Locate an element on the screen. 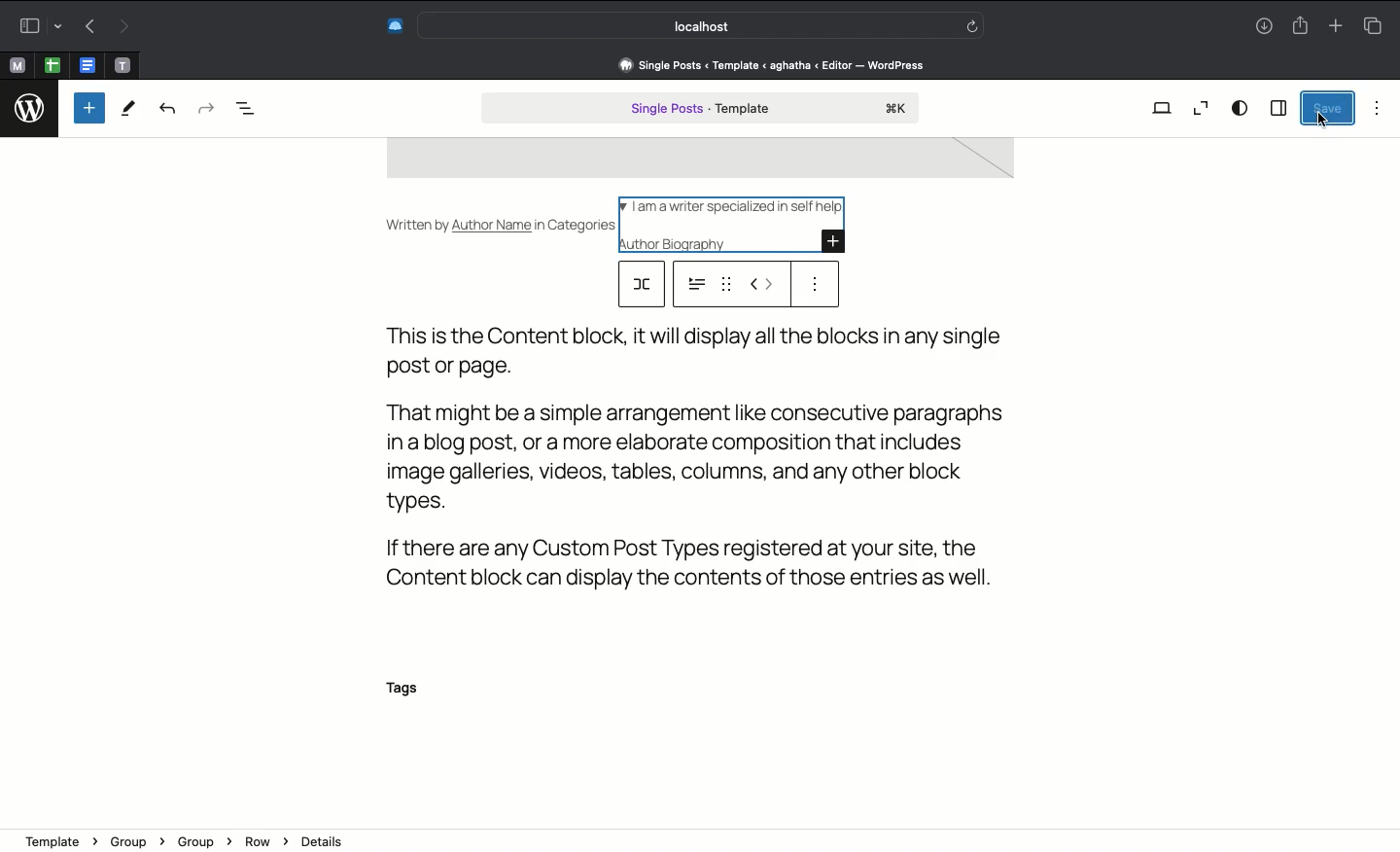 The width and height of the screenshot is (1400, 852). Add new block is located at coordinates (89, 108).